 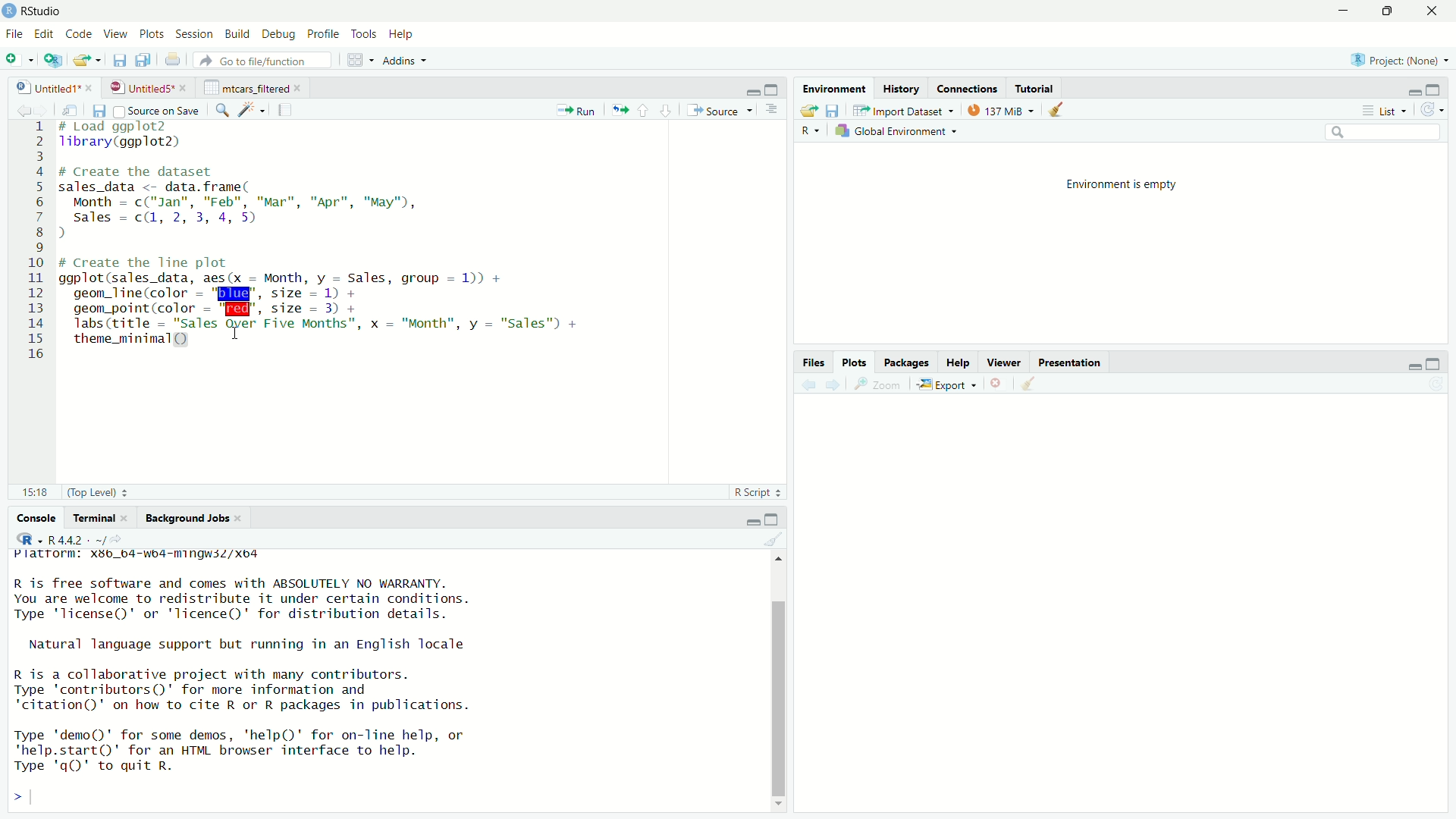 What do you see at coordinates (39, 243) in the screenshot?
I see `line numbers` at bounding box center [39, 243].